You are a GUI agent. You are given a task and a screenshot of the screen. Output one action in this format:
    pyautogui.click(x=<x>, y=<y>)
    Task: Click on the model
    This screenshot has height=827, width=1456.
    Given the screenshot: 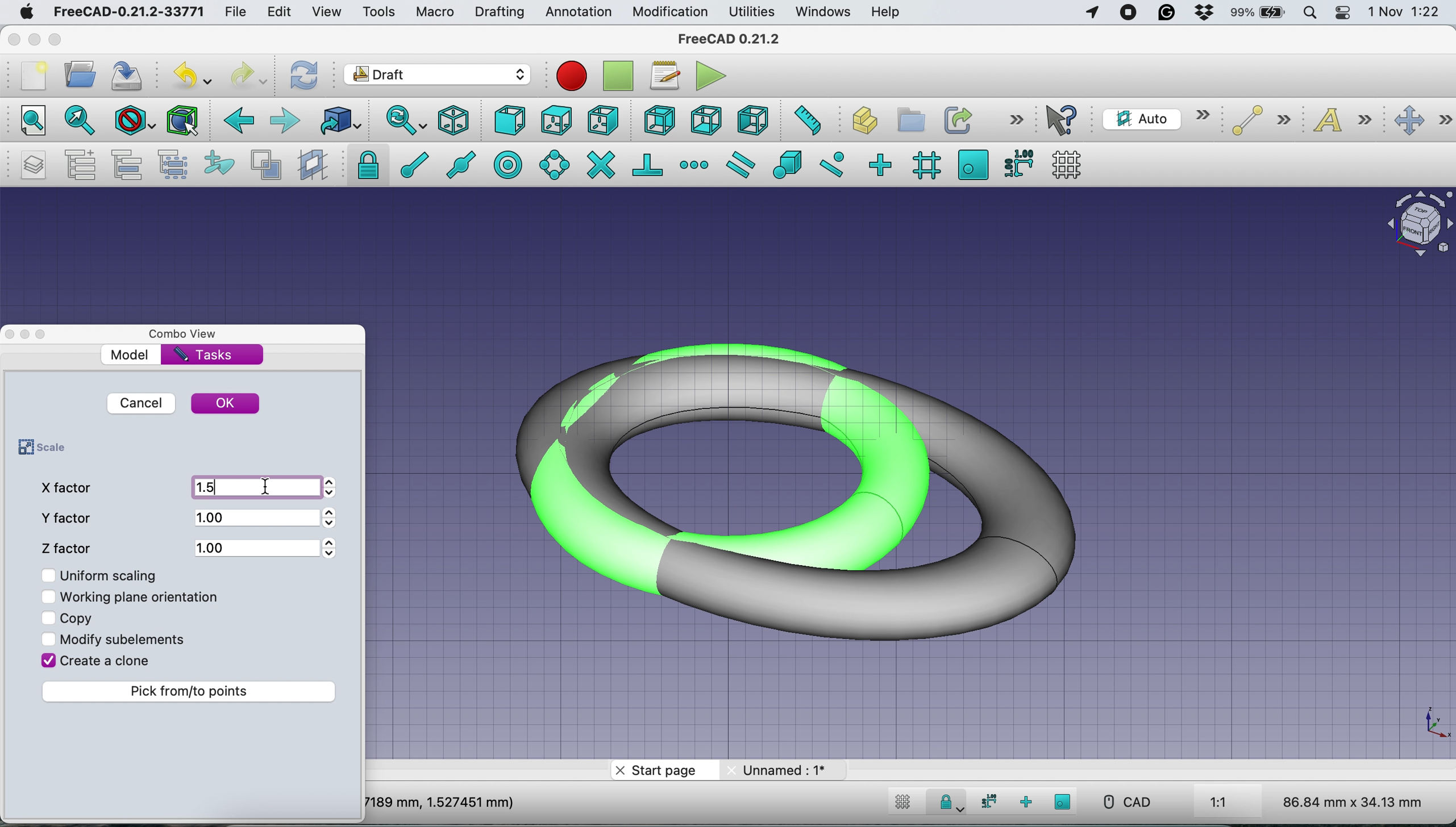 What is the action you would take?
    pyautogui.click(x=131, y=354)
    